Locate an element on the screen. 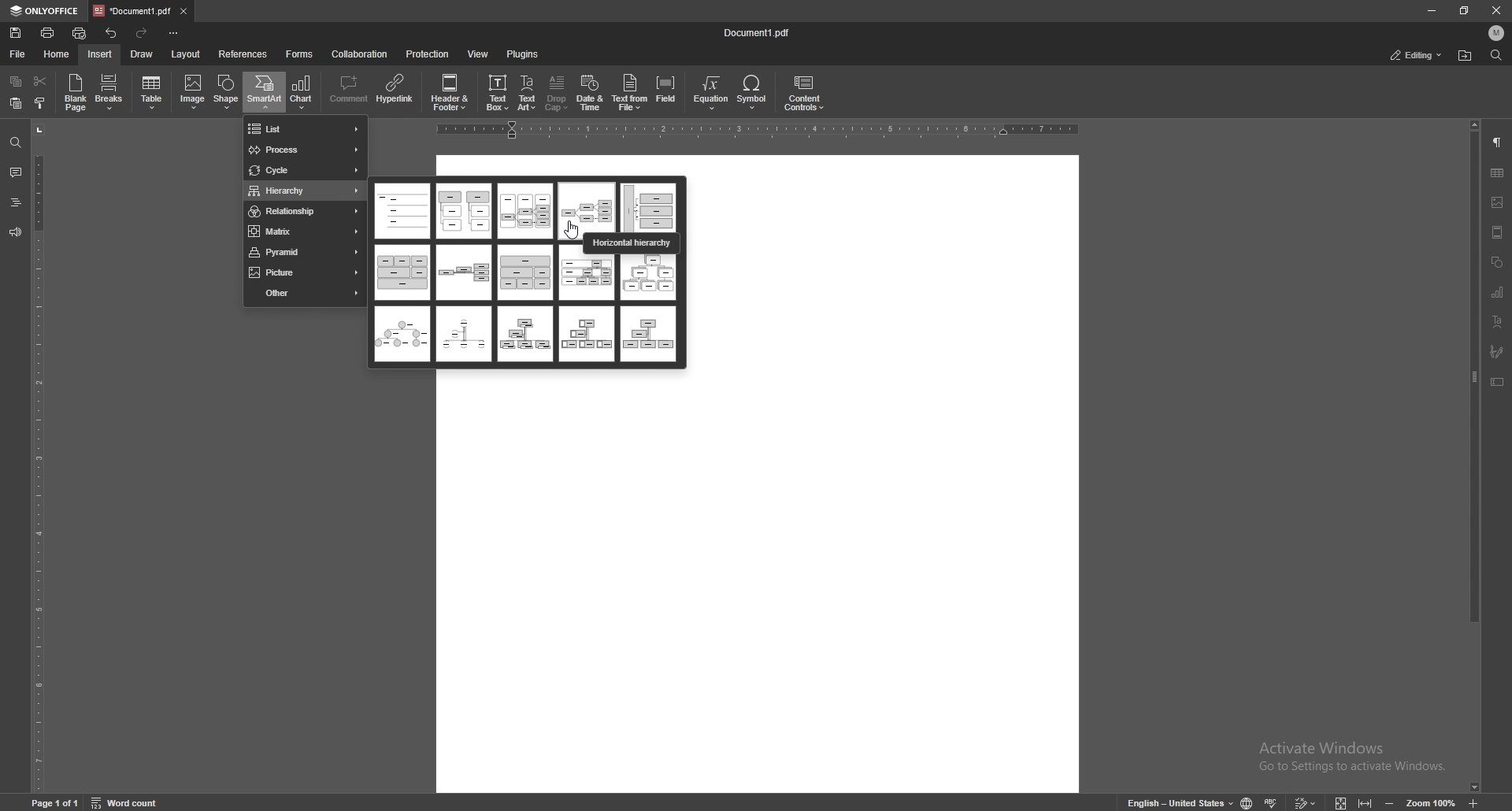 This screenshot has height=811, width=1512. hierarchy is located at coordinates (651, 276).